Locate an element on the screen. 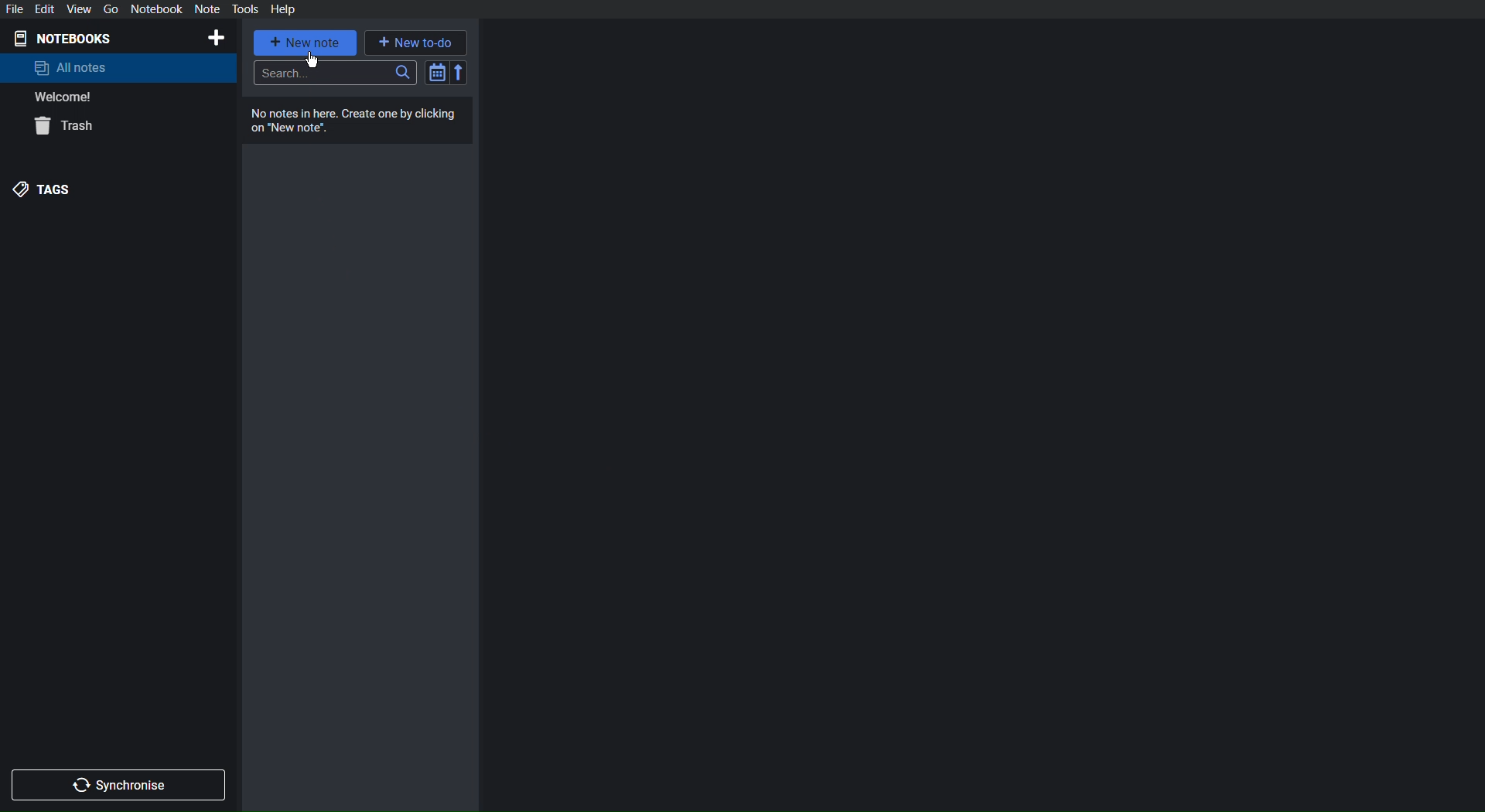  Add is located at coordinates (215, 38).